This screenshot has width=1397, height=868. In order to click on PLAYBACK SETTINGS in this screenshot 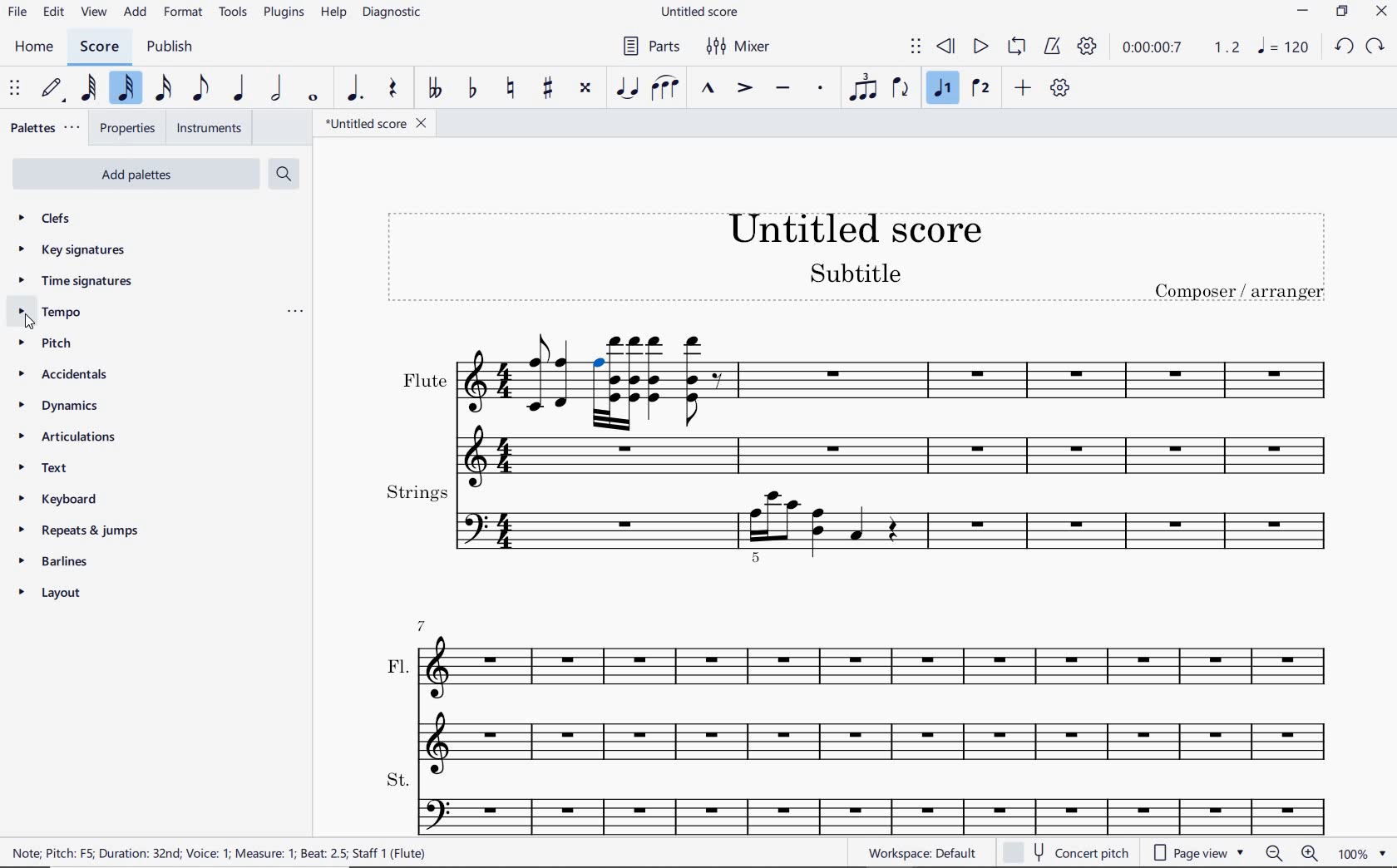, I will do `click(1088, 47)`.